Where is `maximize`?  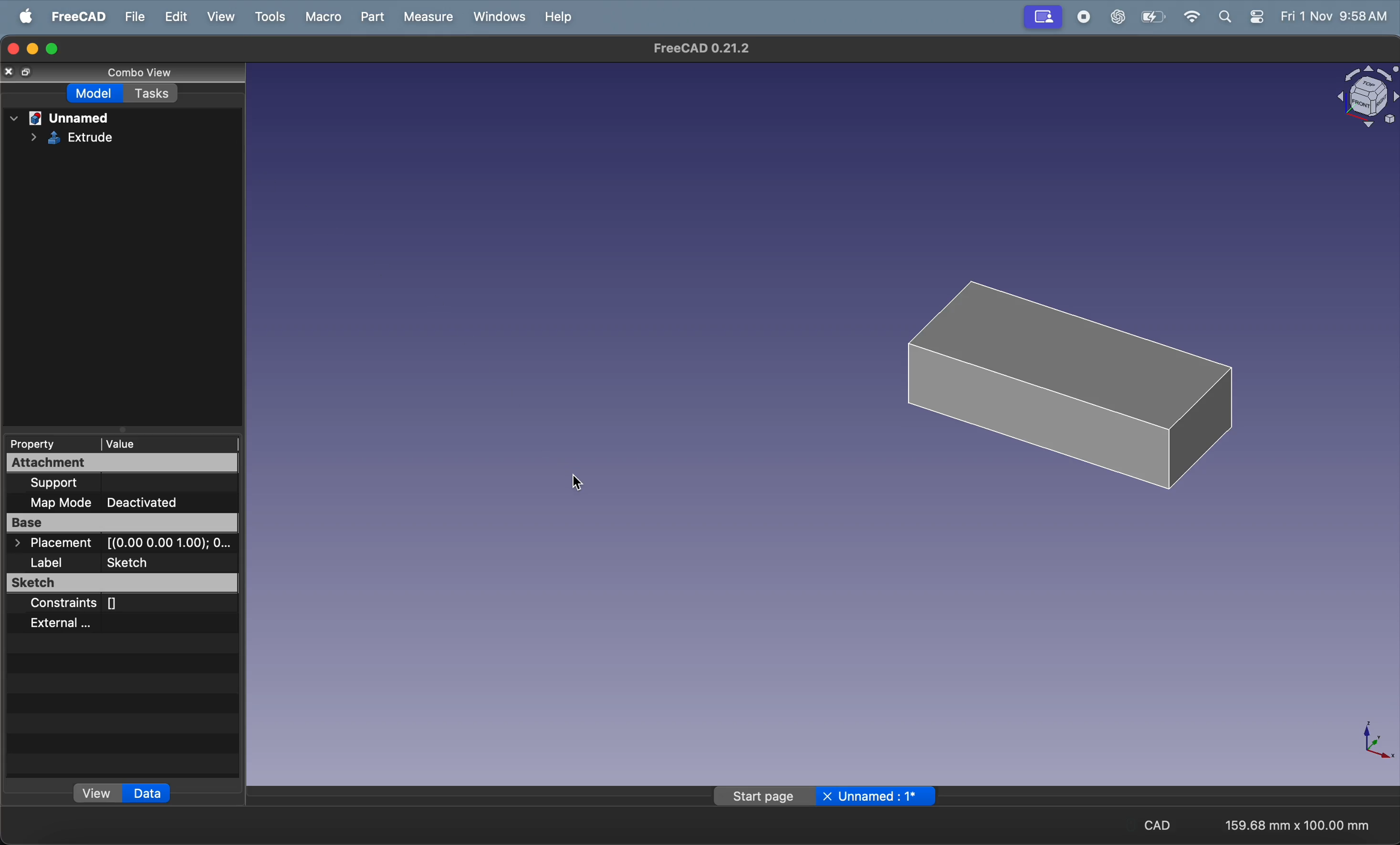
maximize is located at coordinates (55, 48).